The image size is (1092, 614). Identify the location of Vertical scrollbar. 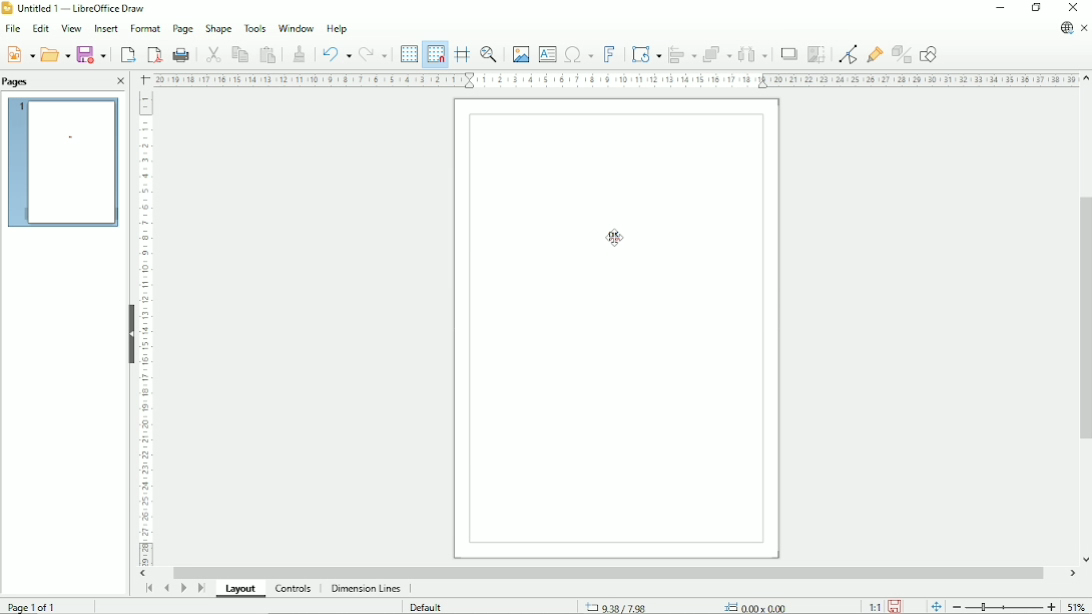
(1083, 321).